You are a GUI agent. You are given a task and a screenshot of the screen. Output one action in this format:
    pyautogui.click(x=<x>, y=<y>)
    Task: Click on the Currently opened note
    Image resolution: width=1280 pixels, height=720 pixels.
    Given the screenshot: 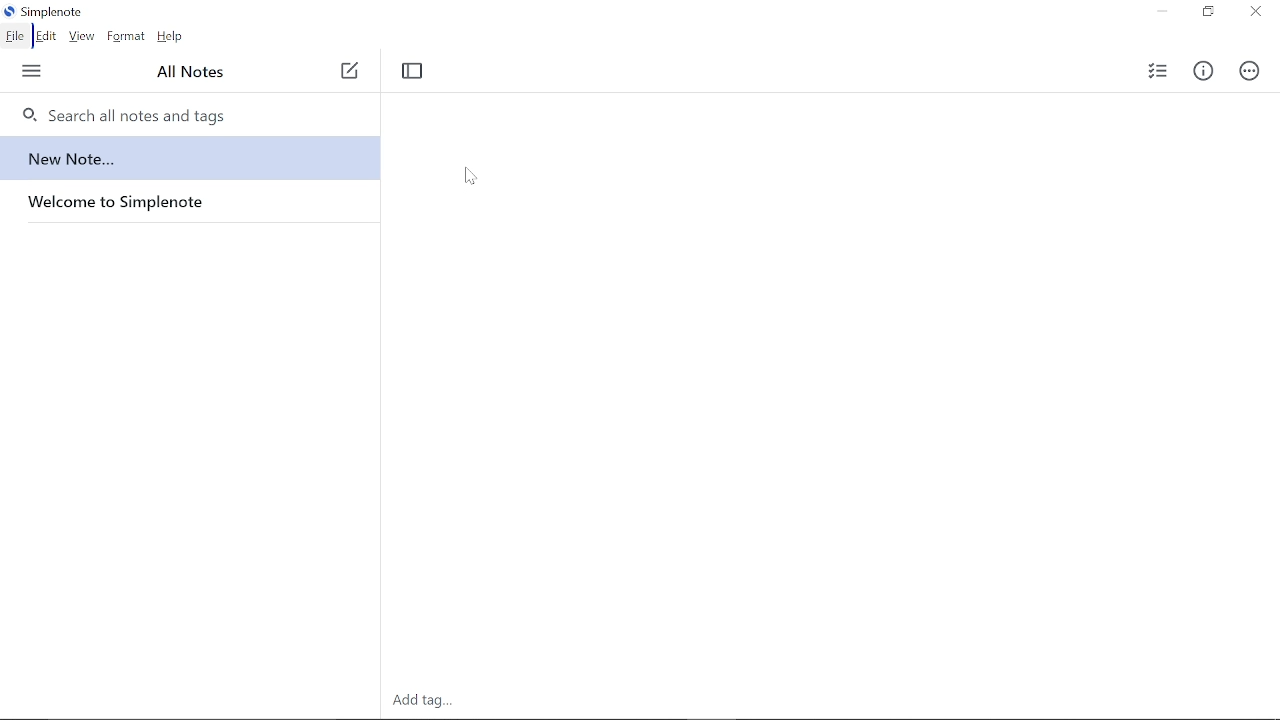 What is the action you would take?
    pyautogui.click(x=183, y=159)
    